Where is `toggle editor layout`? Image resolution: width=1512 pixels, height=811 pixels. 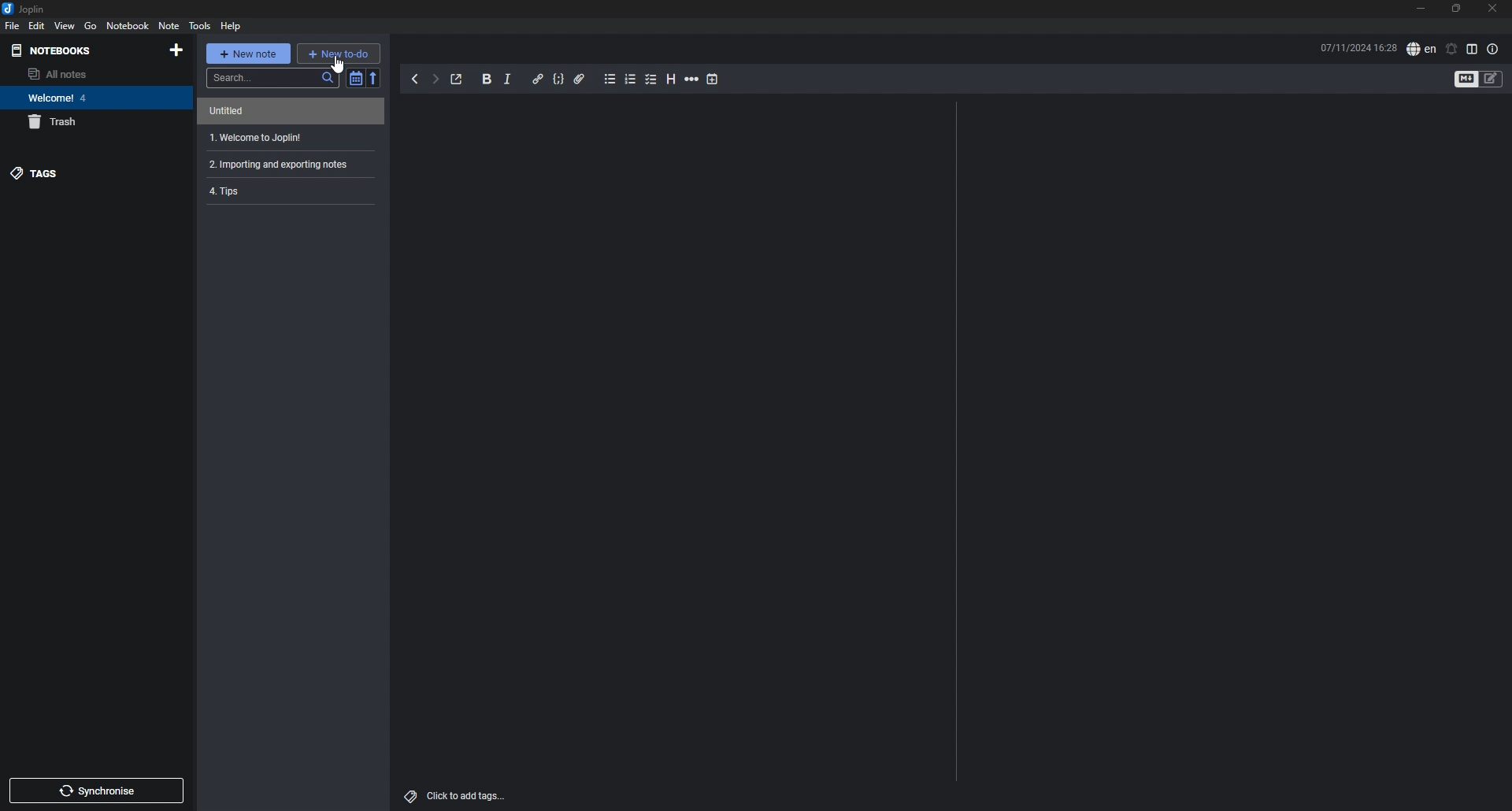 toggle editor layout is located at coordinates (1472, 49).